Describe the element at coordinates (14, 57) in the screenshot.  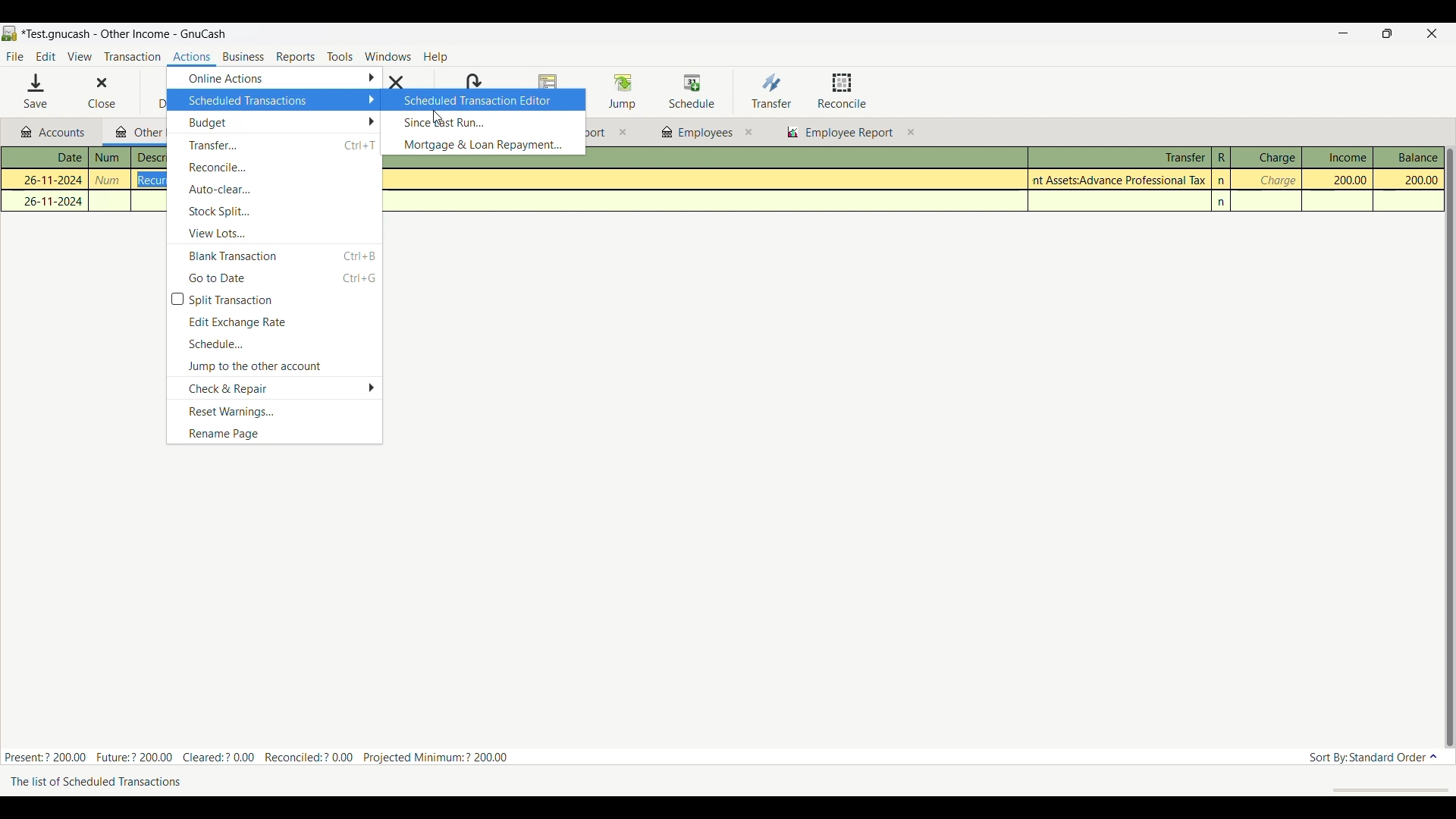
I see `File menu` at that location.